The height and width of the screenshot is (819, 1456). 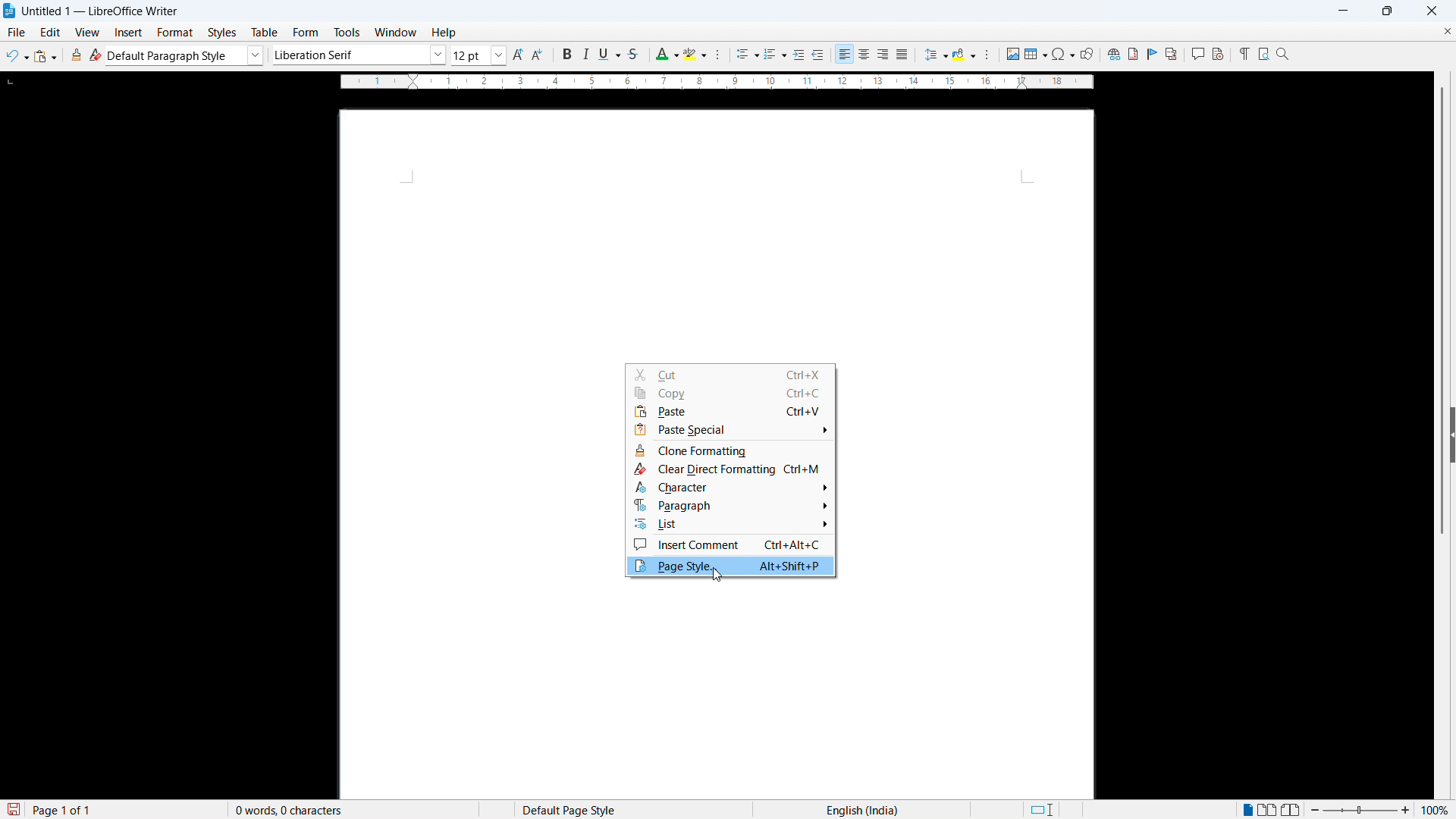 What do you see at coordinates (1040, 810) in the screenshot?
I see `Standard selection ` at bounding box center [1040, 810].